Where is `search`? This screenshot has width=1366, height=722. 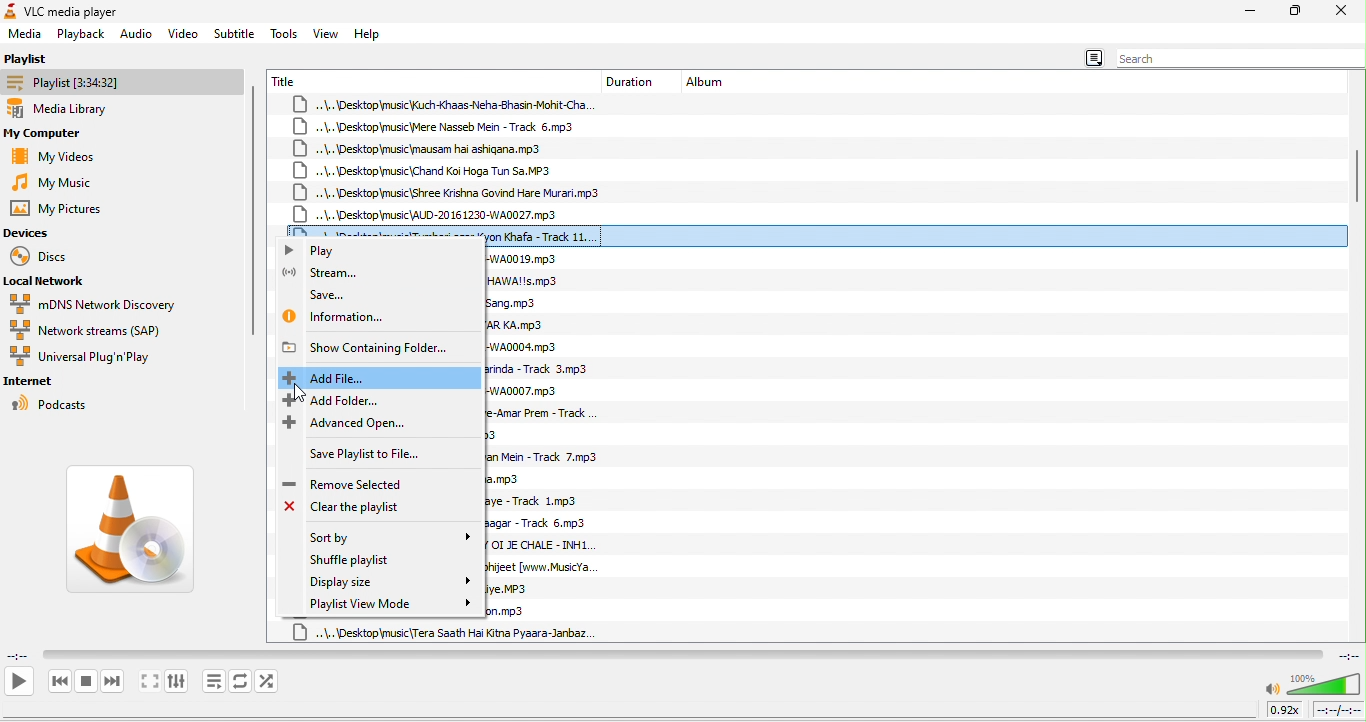 search is located at coordinates (1236, 59).